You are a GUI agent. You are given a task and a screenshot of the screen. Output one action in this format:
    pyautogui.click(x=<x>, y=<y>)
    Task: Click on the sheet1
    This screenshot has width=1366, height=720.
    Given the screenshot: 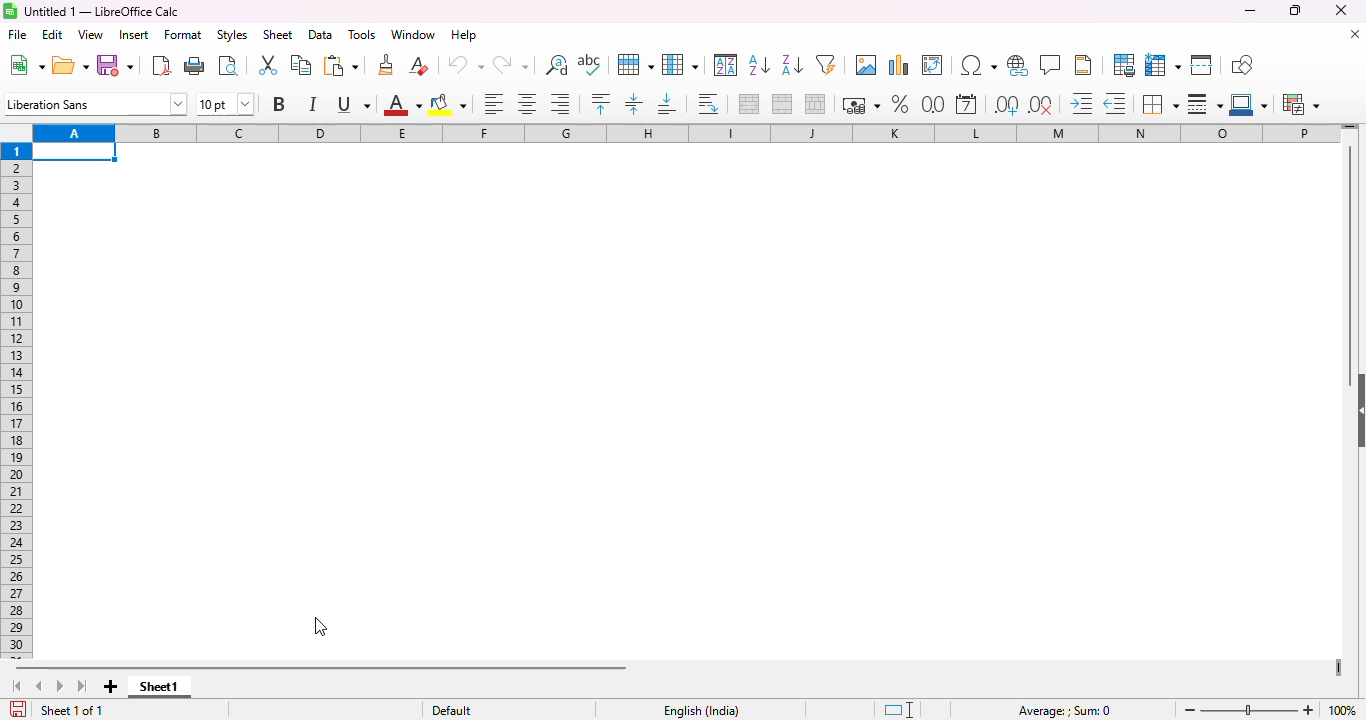 What is the action you would take?
    pyautogui.click(x=156, y=687)
    